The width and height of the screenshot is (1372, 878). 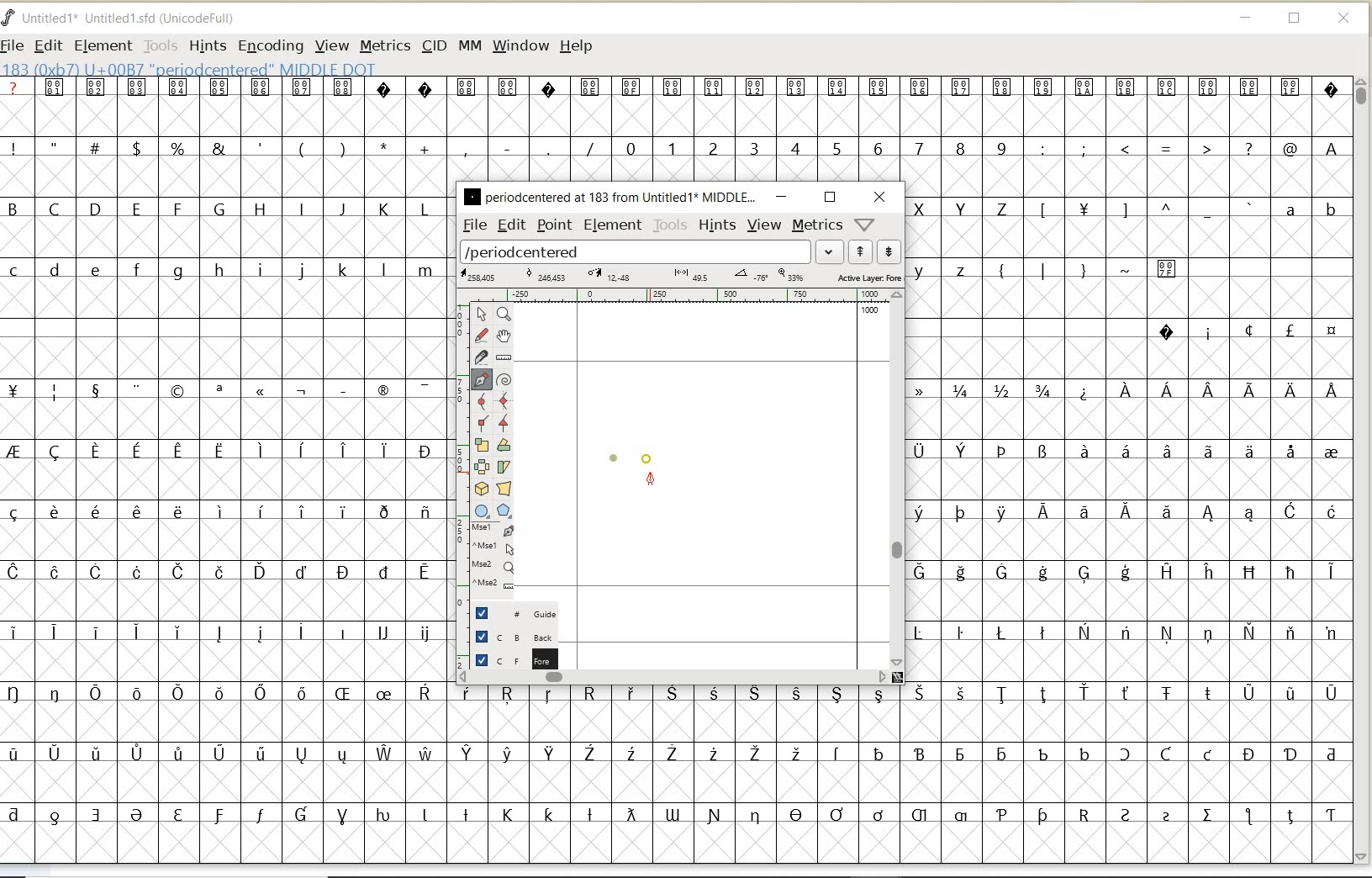 I want to click on CLOSE, so click(x=1345, y=19).